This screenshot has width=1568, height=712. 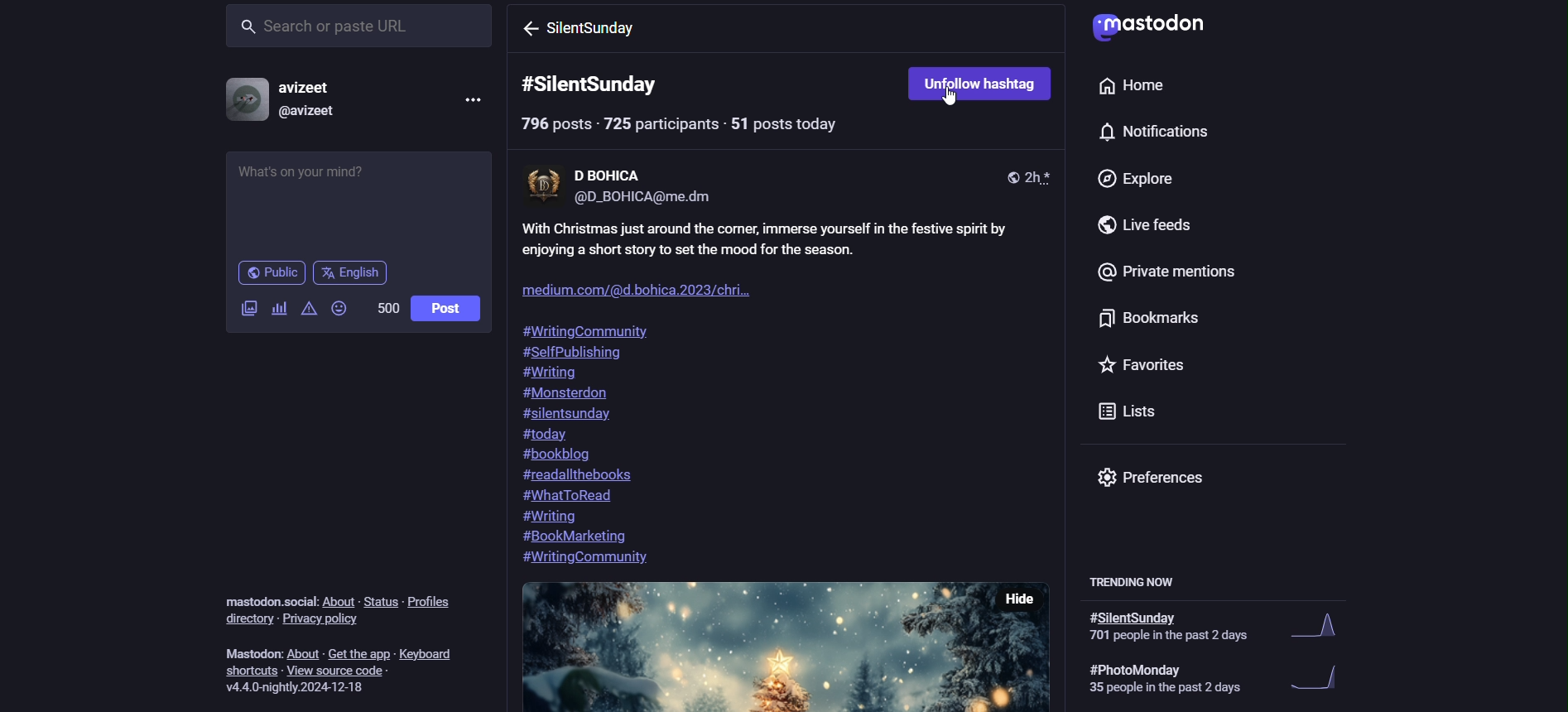 What do you see at coordinates (1145, 369) in the screenshot?
I see `Favorites` at bounding box center [1145, 369].